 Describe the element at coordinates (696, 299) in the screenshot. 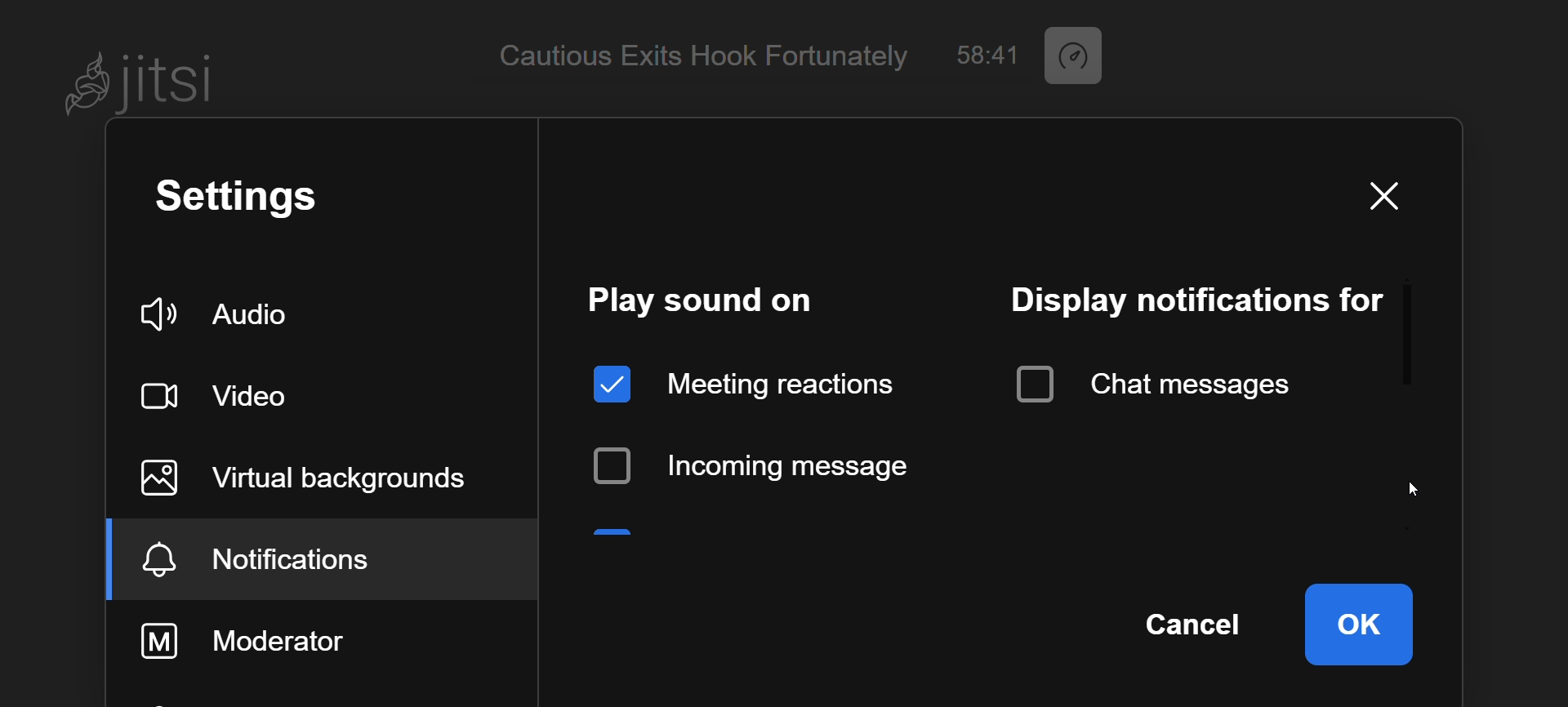

I see `play sound on` at that location.